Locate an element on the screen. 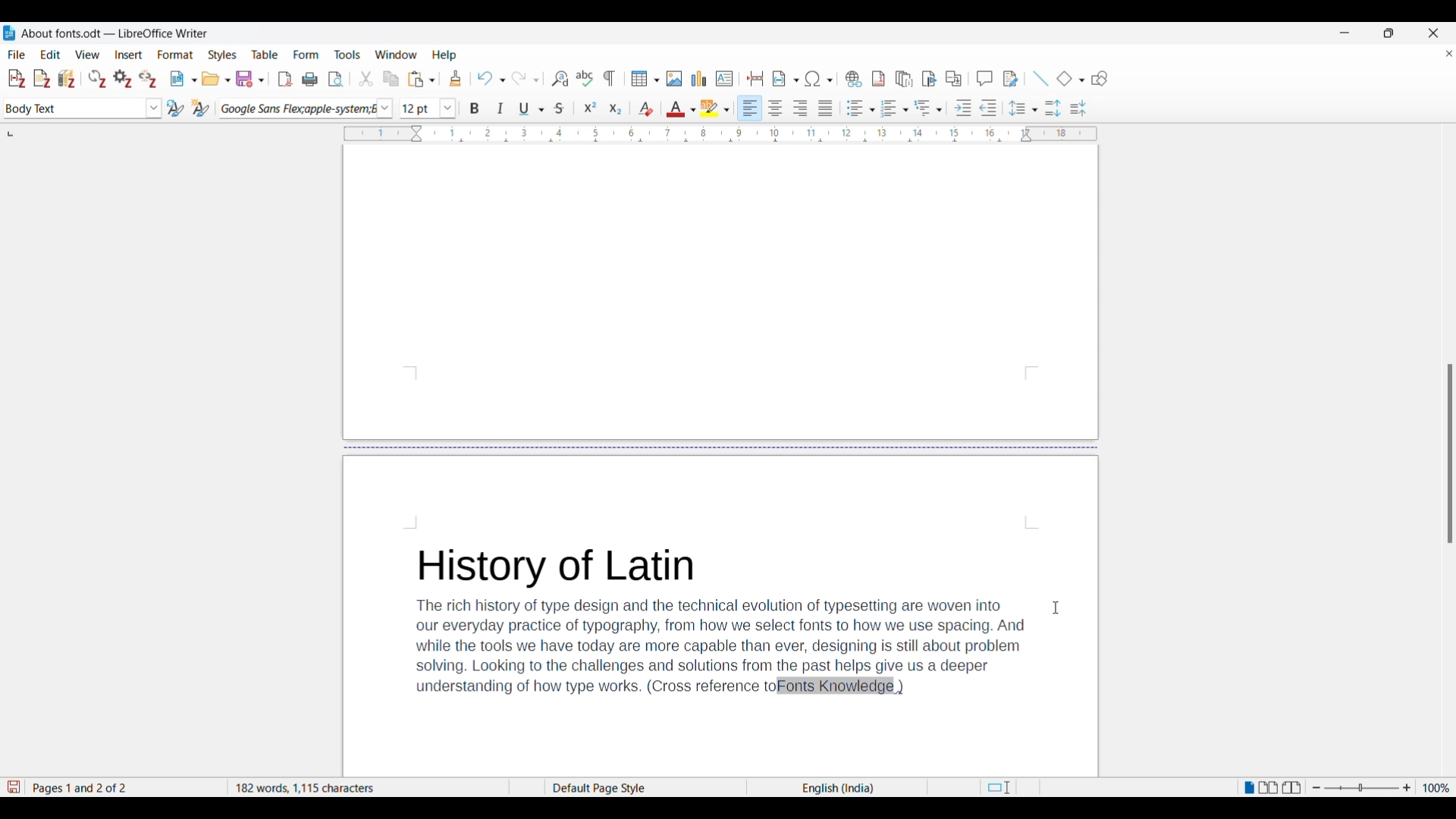 The width and height of the screenshot is (1456, 819). Set document preferences is located at coordinates (123, 79).